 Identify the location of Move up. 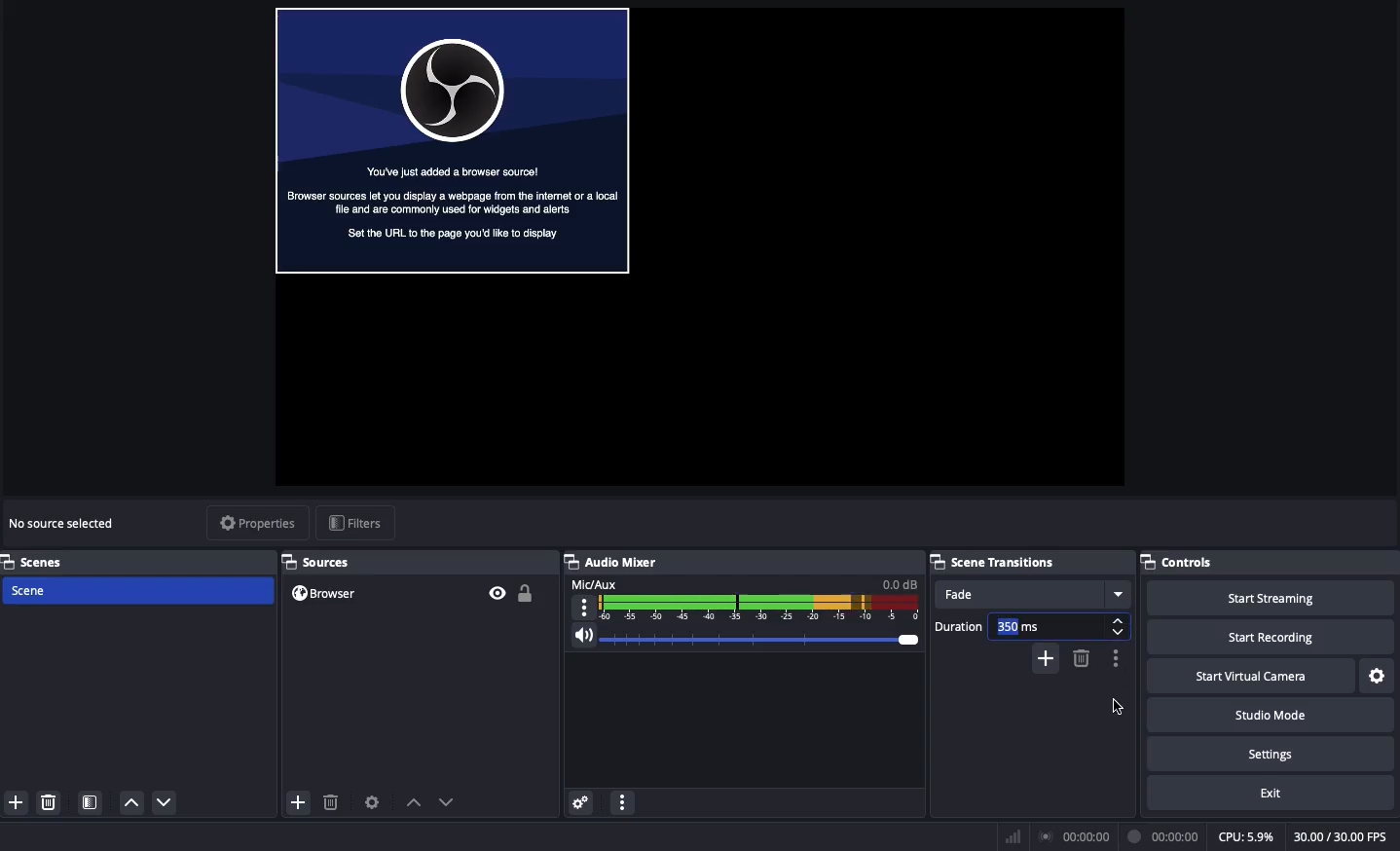
(131, 803).